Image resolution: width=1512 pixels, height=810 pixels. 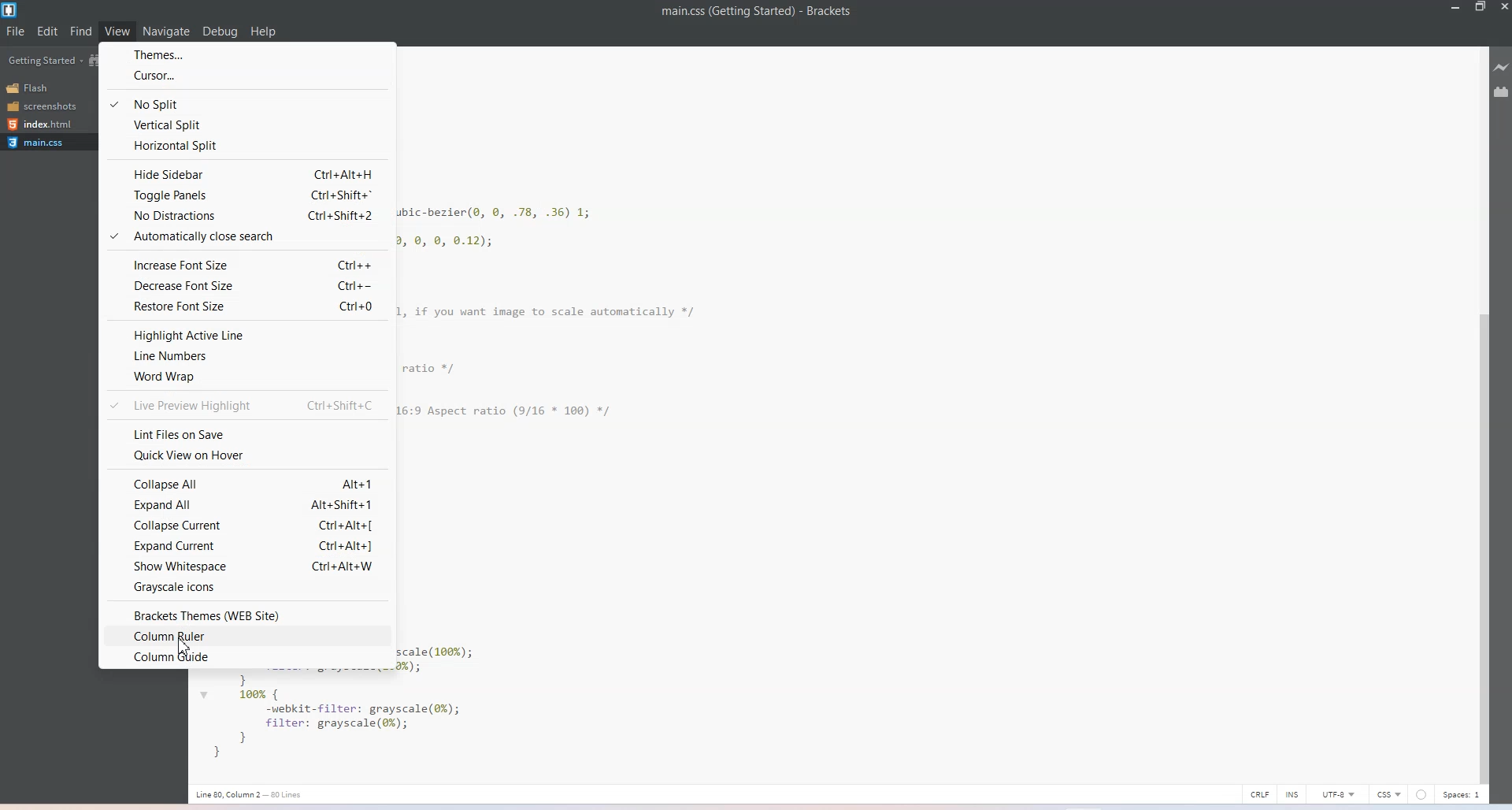 What do you see at coordinates (248, 485) in the screenshot?
I see `Collapse All` at bounding box center [248, 485].